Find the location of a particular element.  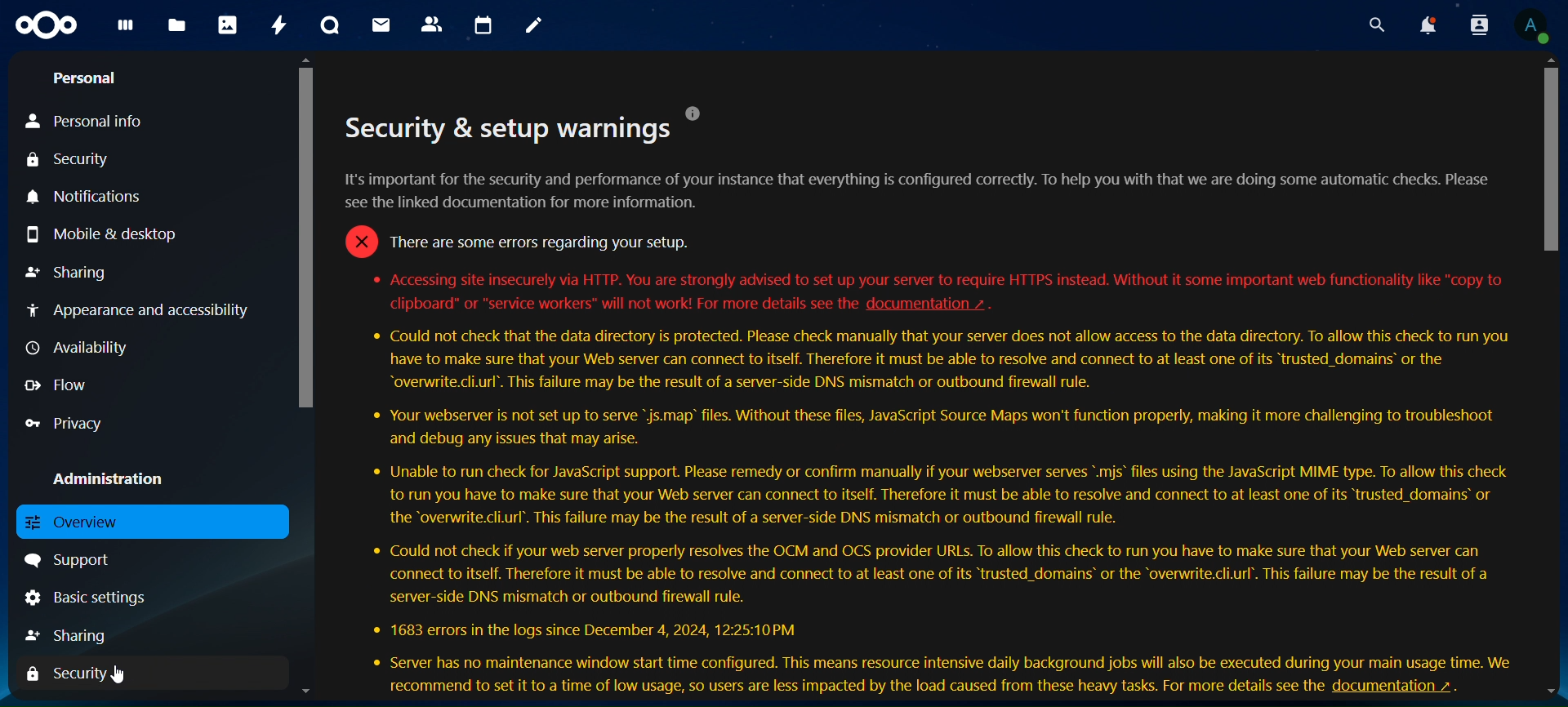

files is located at coordinates (176, 26).